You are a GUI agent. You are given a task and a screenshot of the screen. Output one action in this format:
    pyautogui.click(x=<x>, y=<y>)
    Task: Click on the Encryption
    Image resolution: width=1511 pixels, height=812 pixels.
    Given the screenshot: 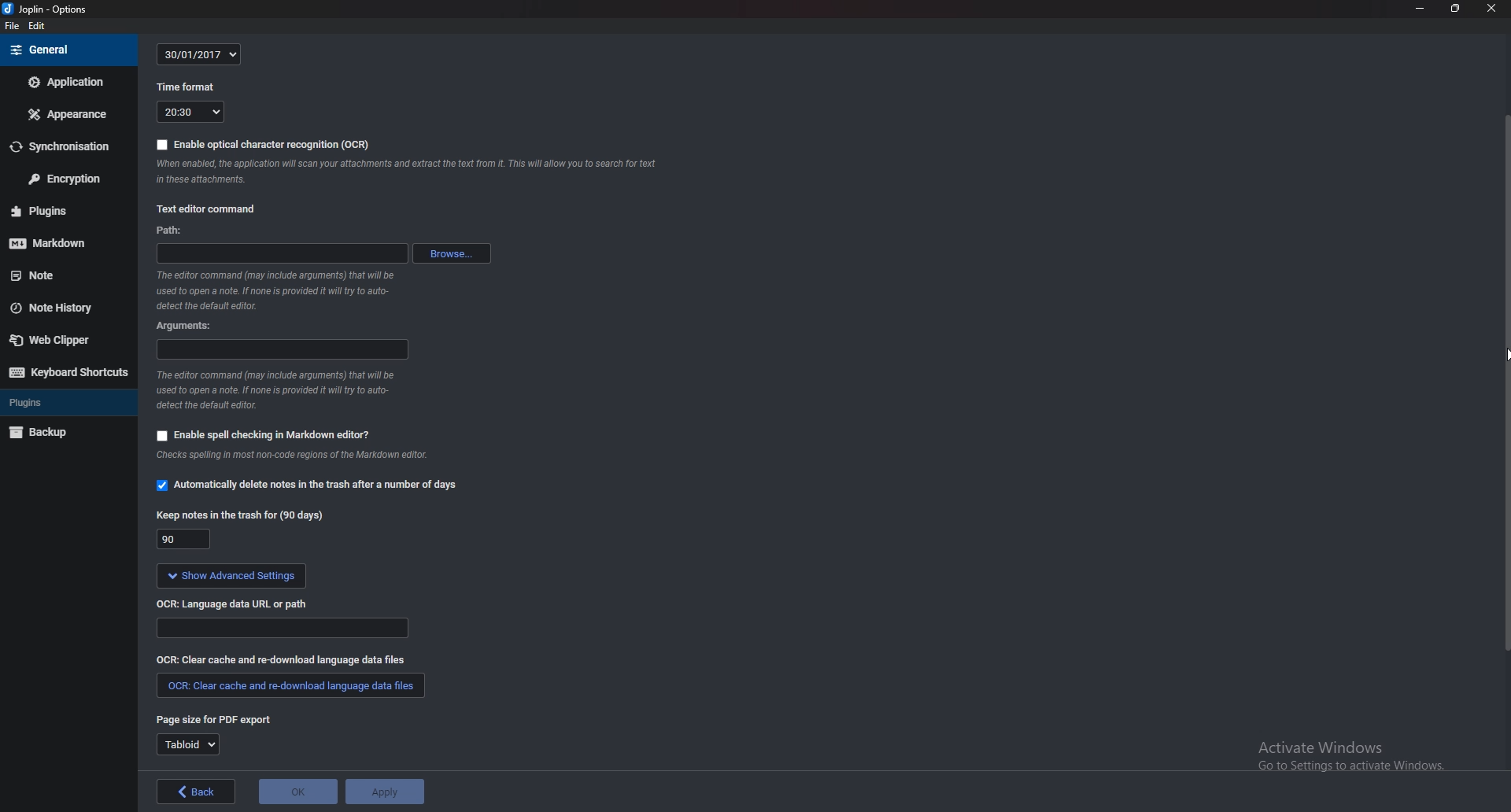 What is the action you would take?
    pyautogui.click(x=64, y=179)
    